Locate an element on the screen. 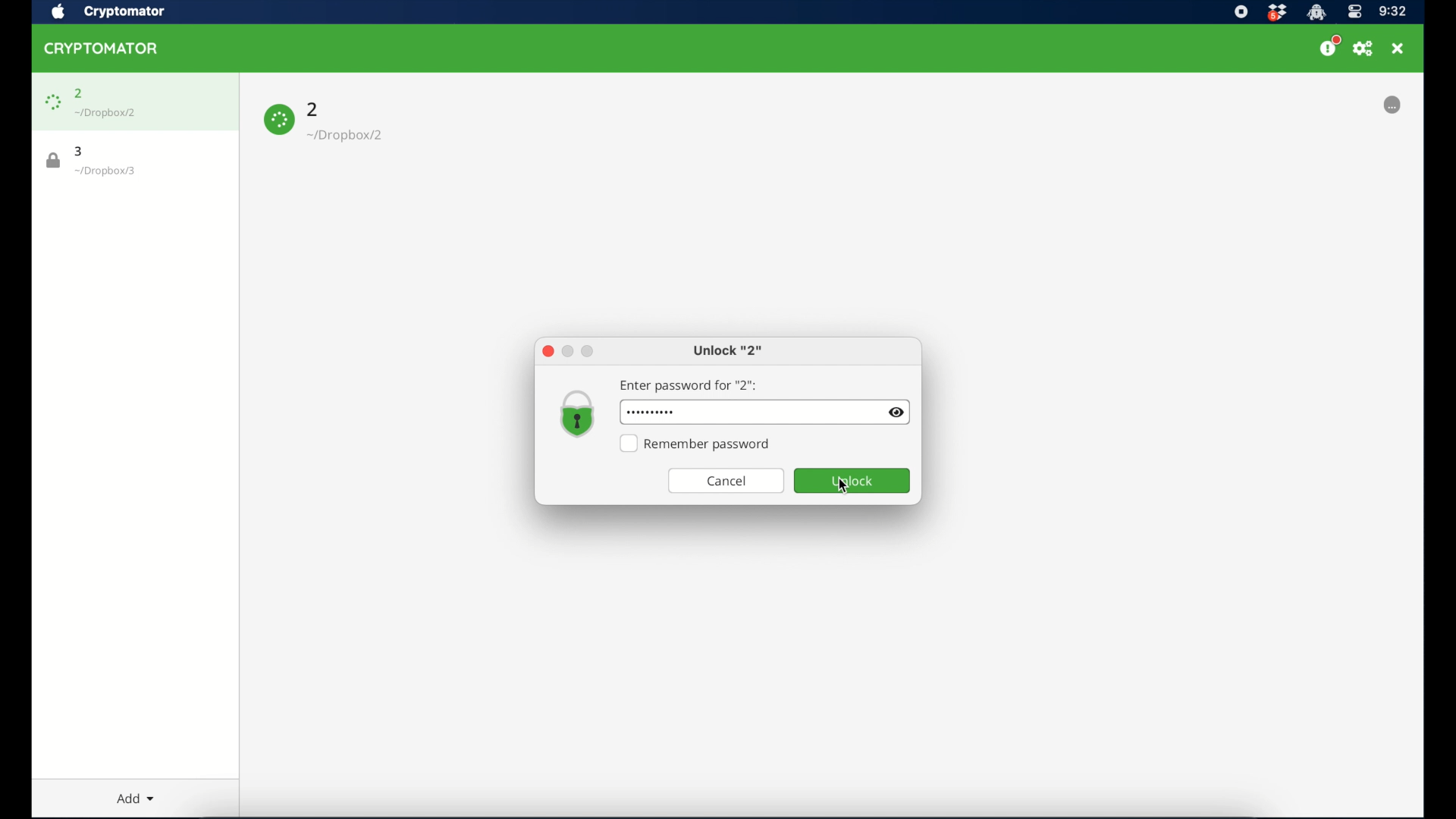 The image size is (1456, 819). cryptomator icon is located at coordinates (102, 49).